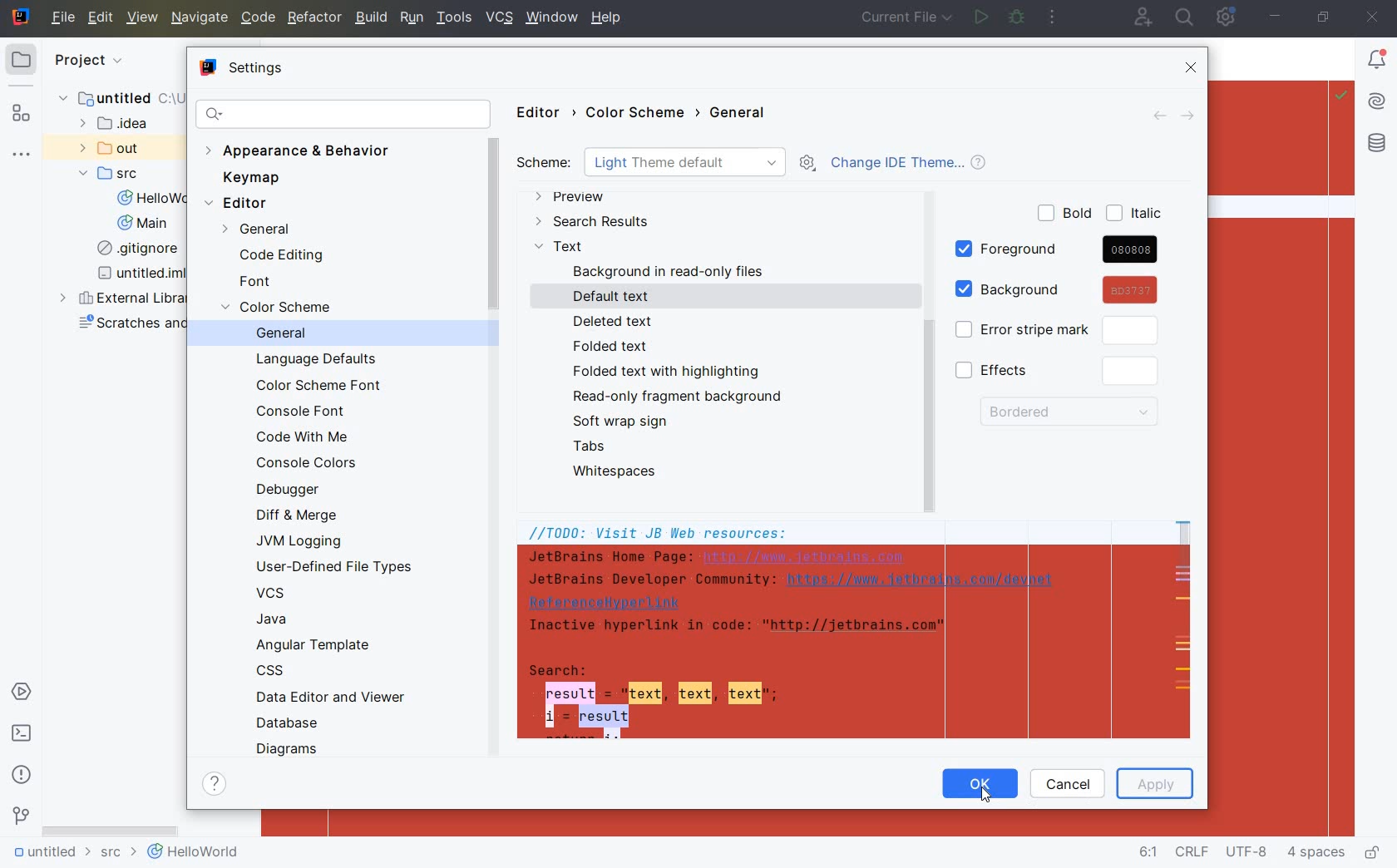  I want to click on SEARCH RESULTS, so click(592, 223).